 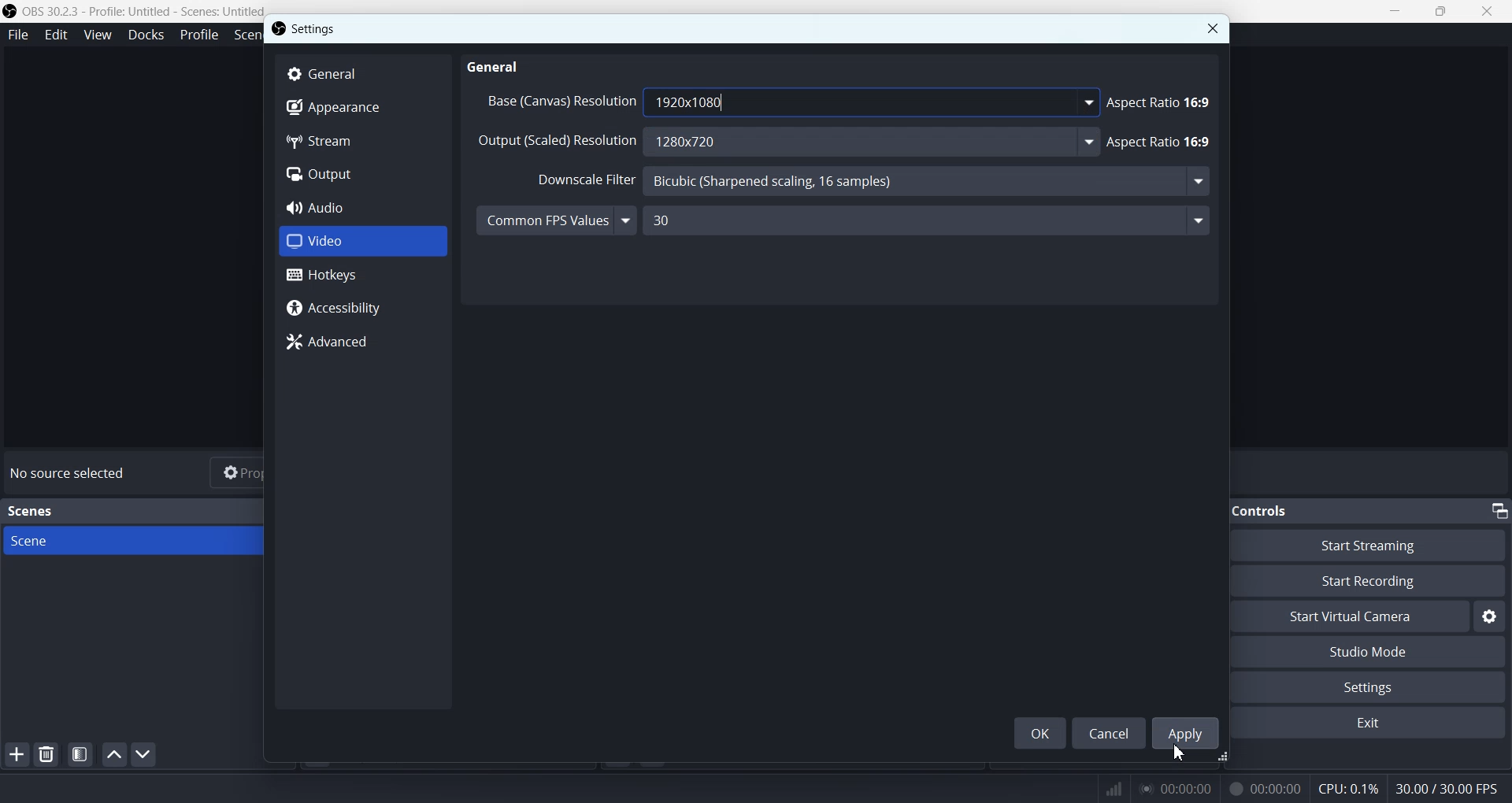 What do you see at coordinates (362, 109) in the screenshot?
I see `Appearance` at bounding box center [362, 109].